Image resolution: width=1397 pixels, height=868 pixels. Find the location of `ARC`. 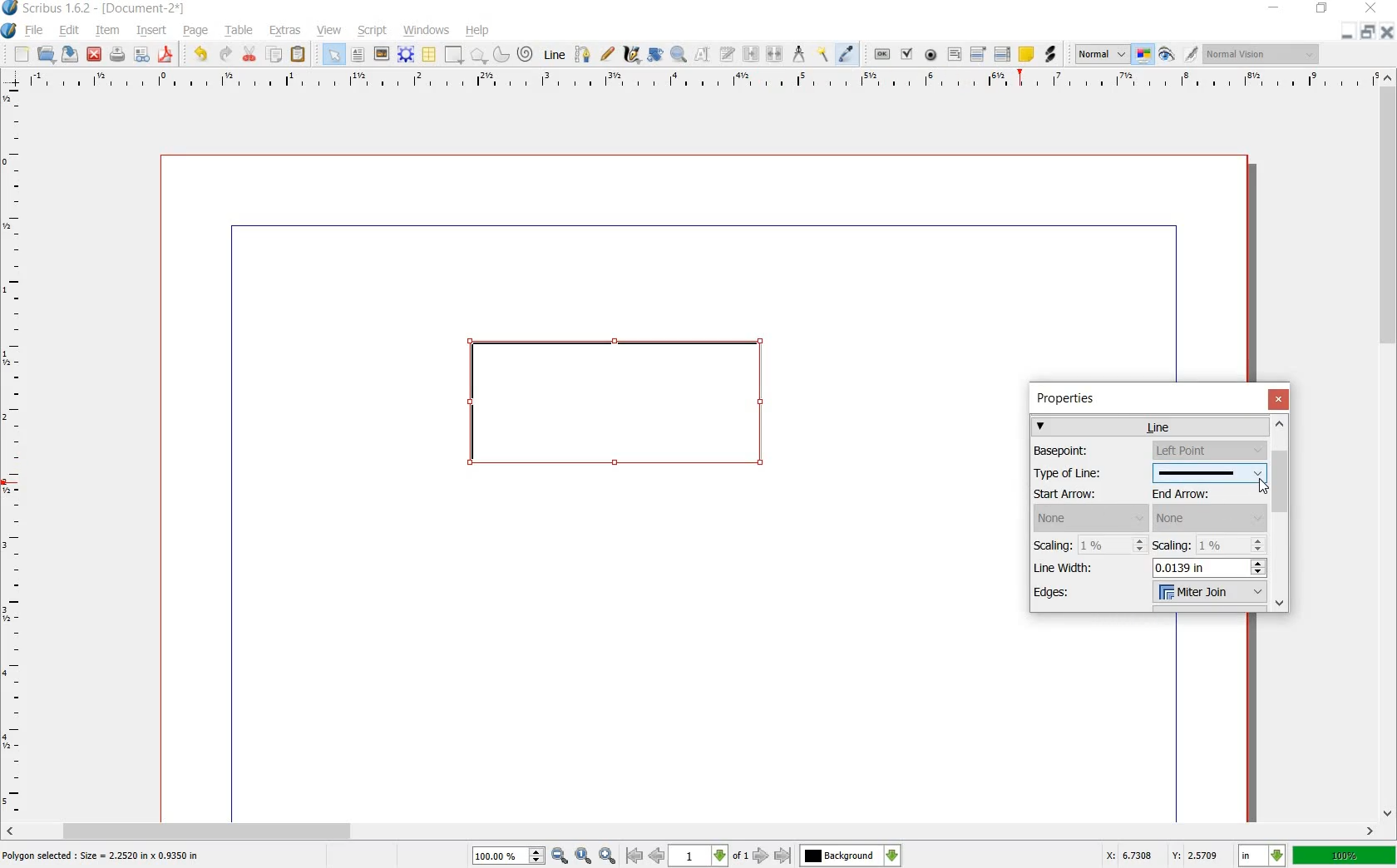

ARC is located at coordinates (501, 53).